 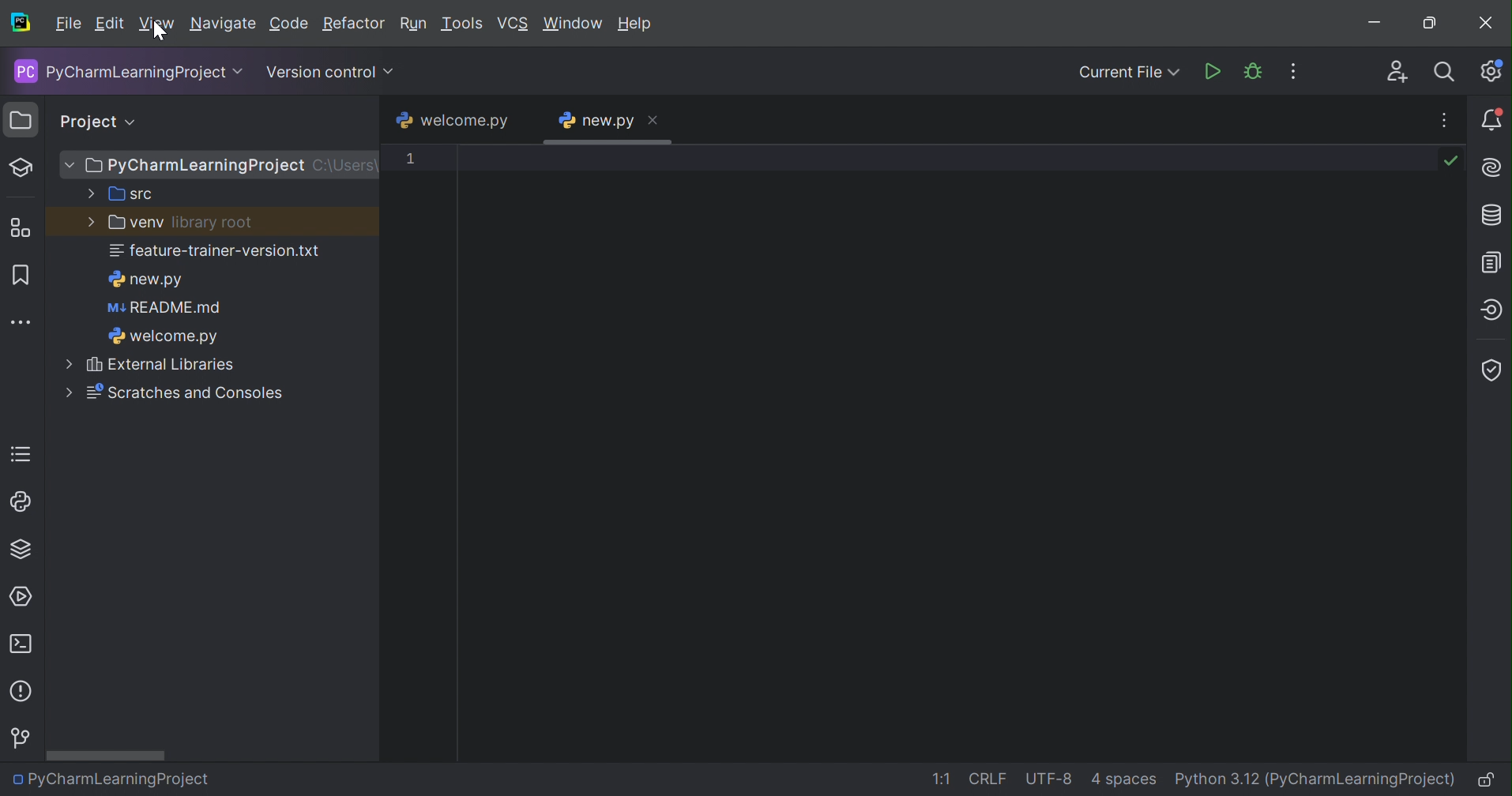 What do you see at coordinates (22, 321) in the screenshot?
I see `More tool windows` at bounding box center [22, 321].